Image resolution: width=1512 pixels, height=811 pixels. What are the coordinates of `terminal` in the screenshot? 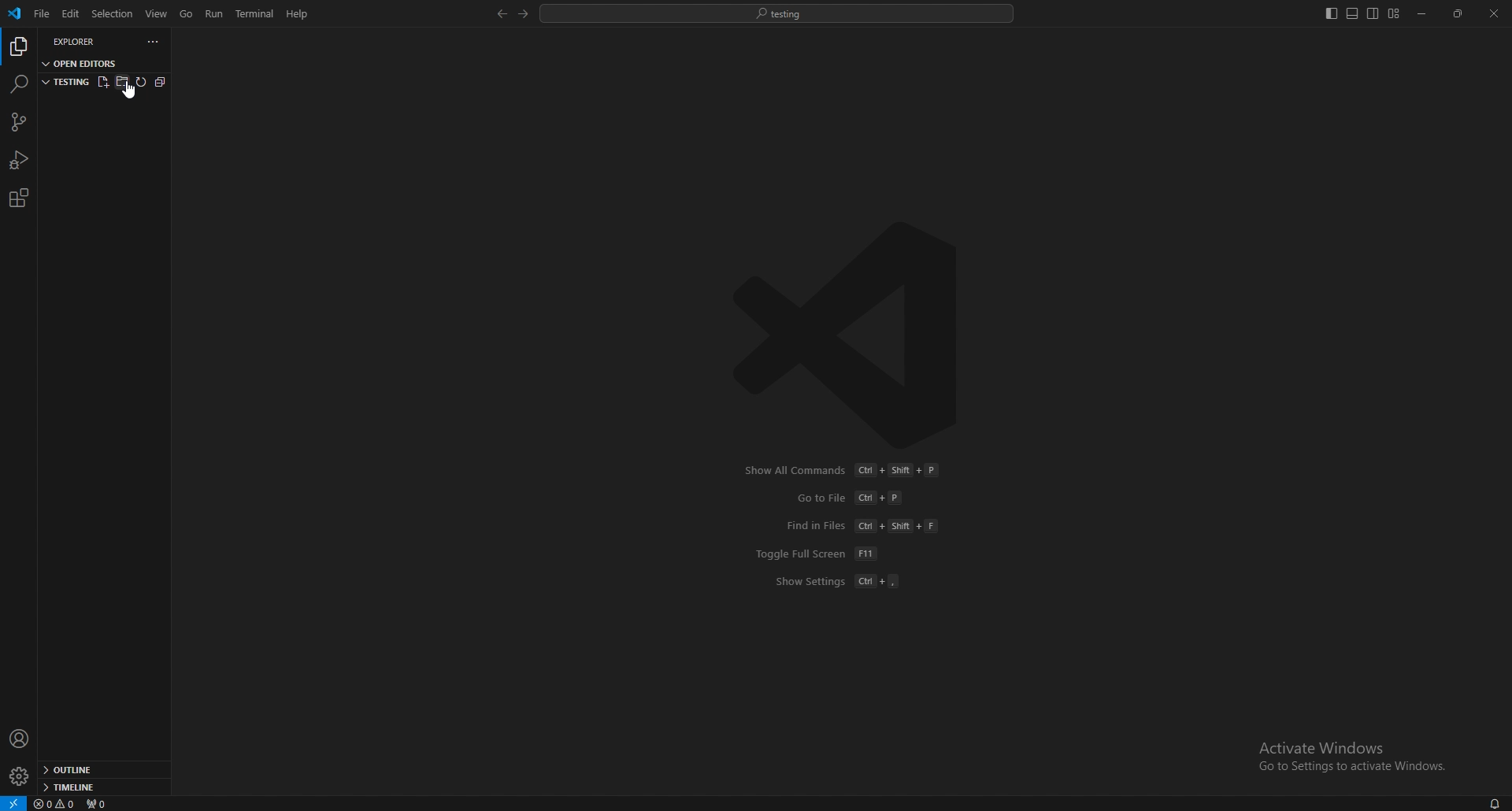 It's located at (258, 14).